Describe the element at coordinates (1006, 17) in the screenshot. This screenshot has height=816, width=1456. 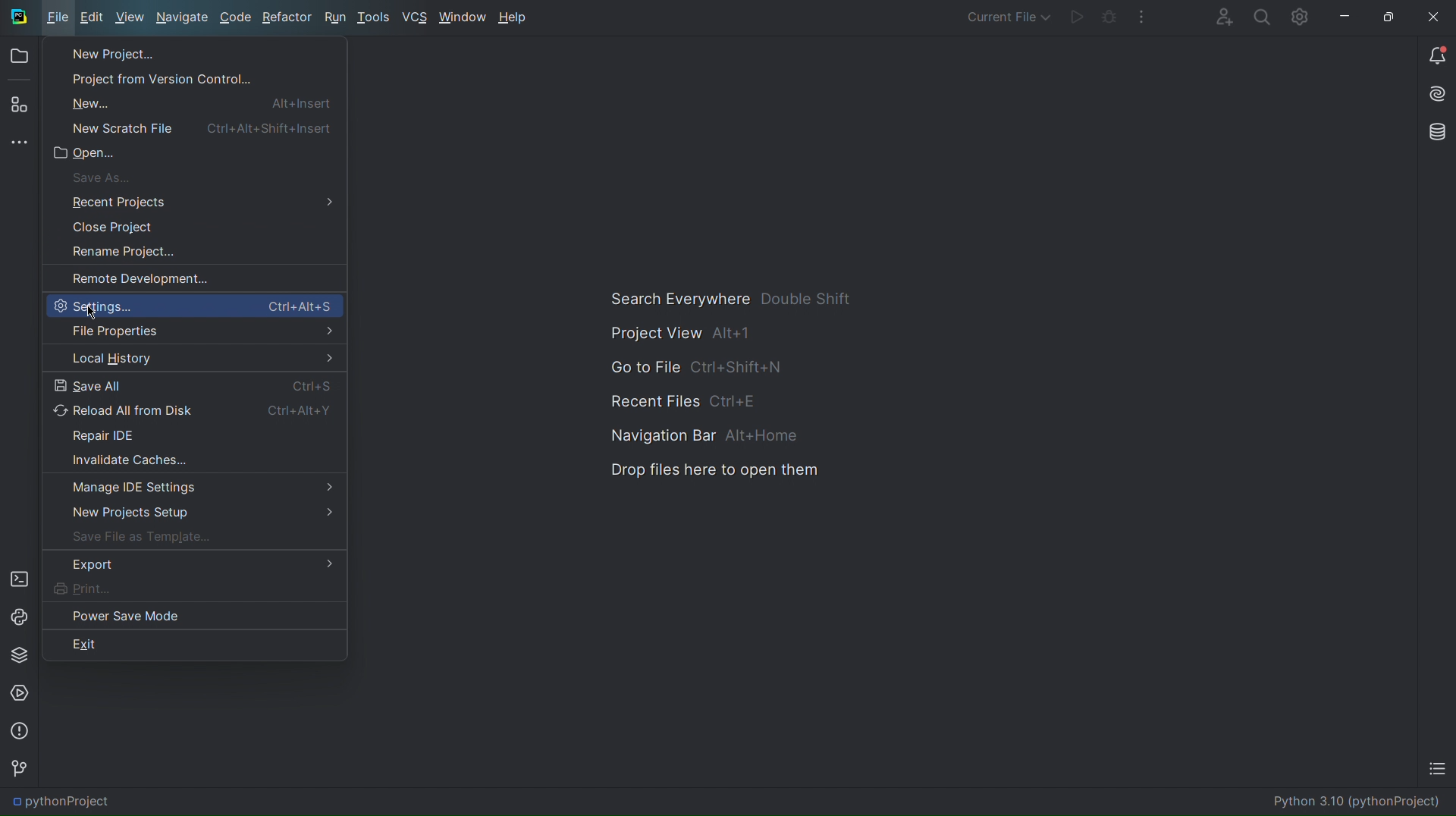
I see `Current File` at that location.